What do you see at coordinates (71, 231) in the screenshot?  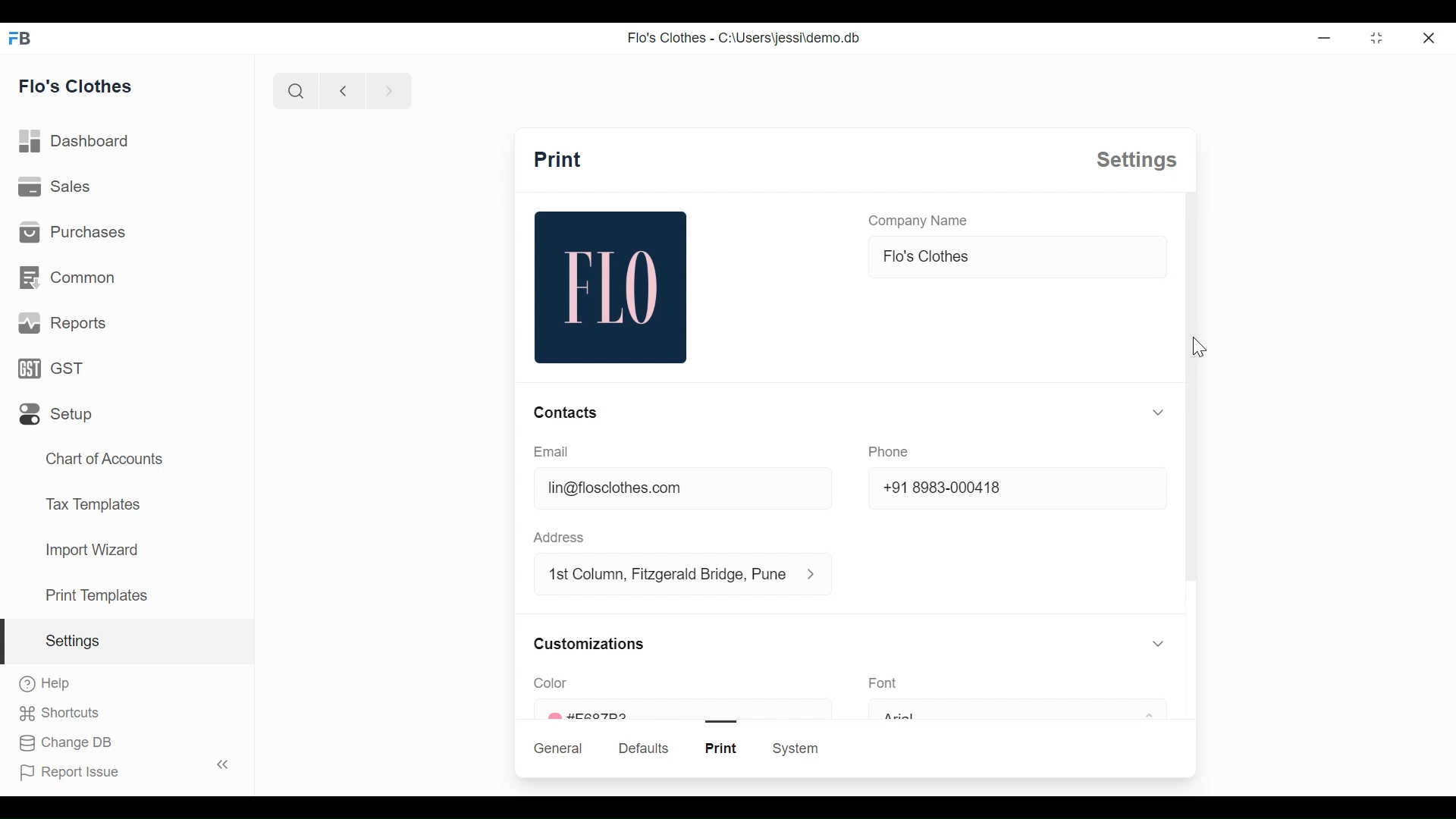 I see `purchases` at bounding box center [71, 231].